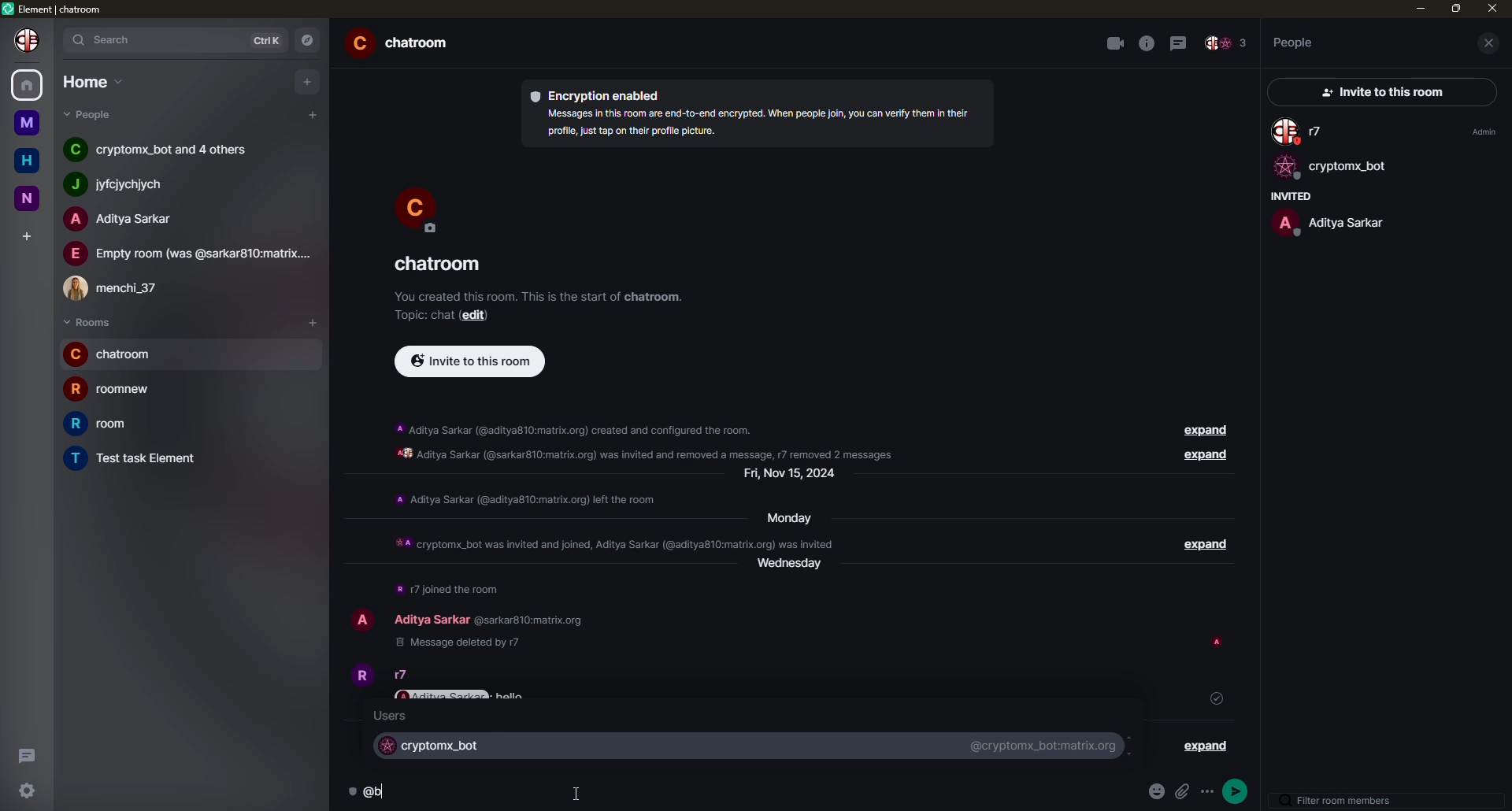 This screenshot has height=811, width=1512. I want to click on bot, so click(1330, 168).